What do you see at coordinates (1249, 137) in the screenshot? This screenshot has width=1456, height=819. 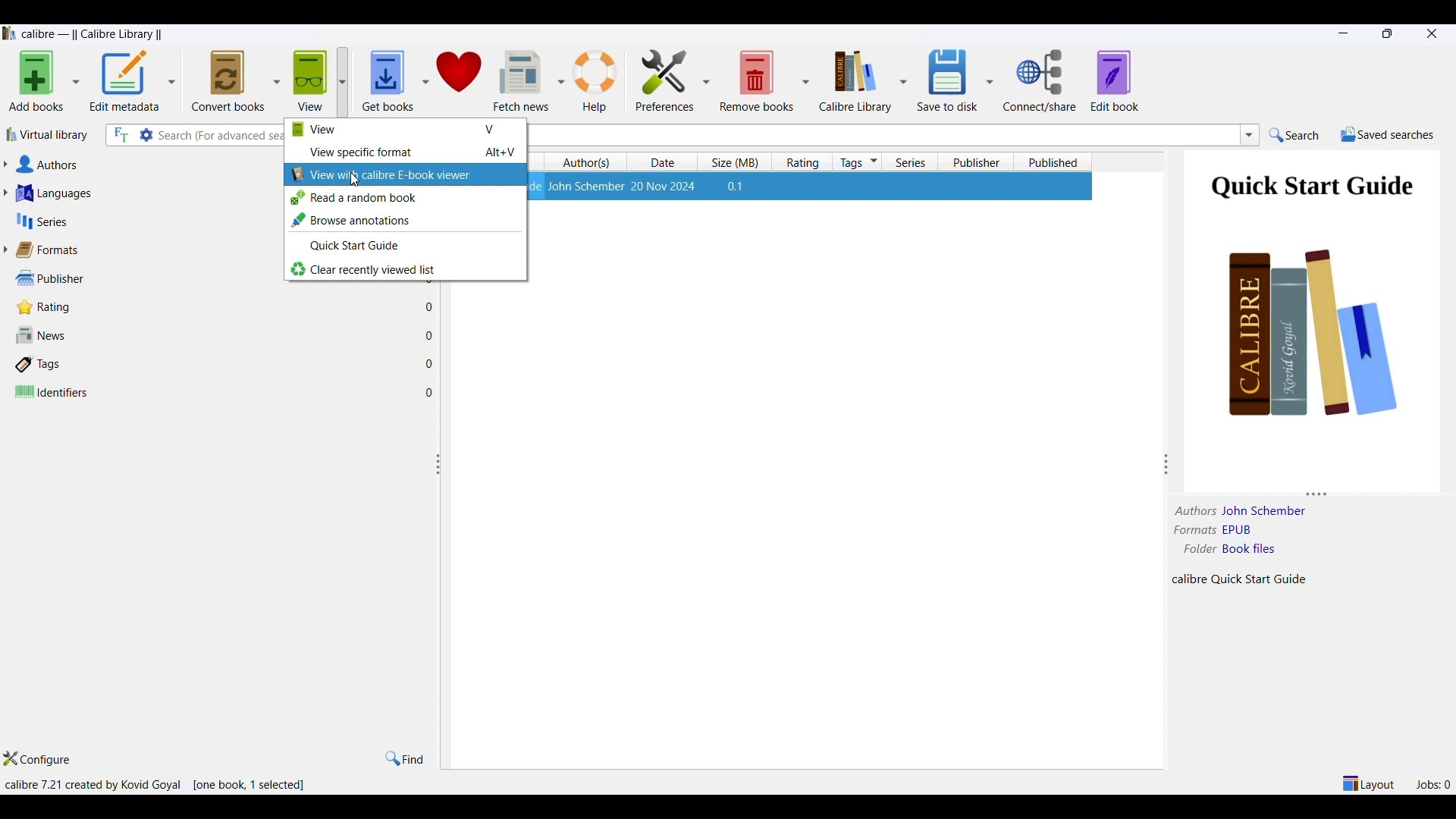 I see `search box dropdown button` at bounding box center [1249, 137].